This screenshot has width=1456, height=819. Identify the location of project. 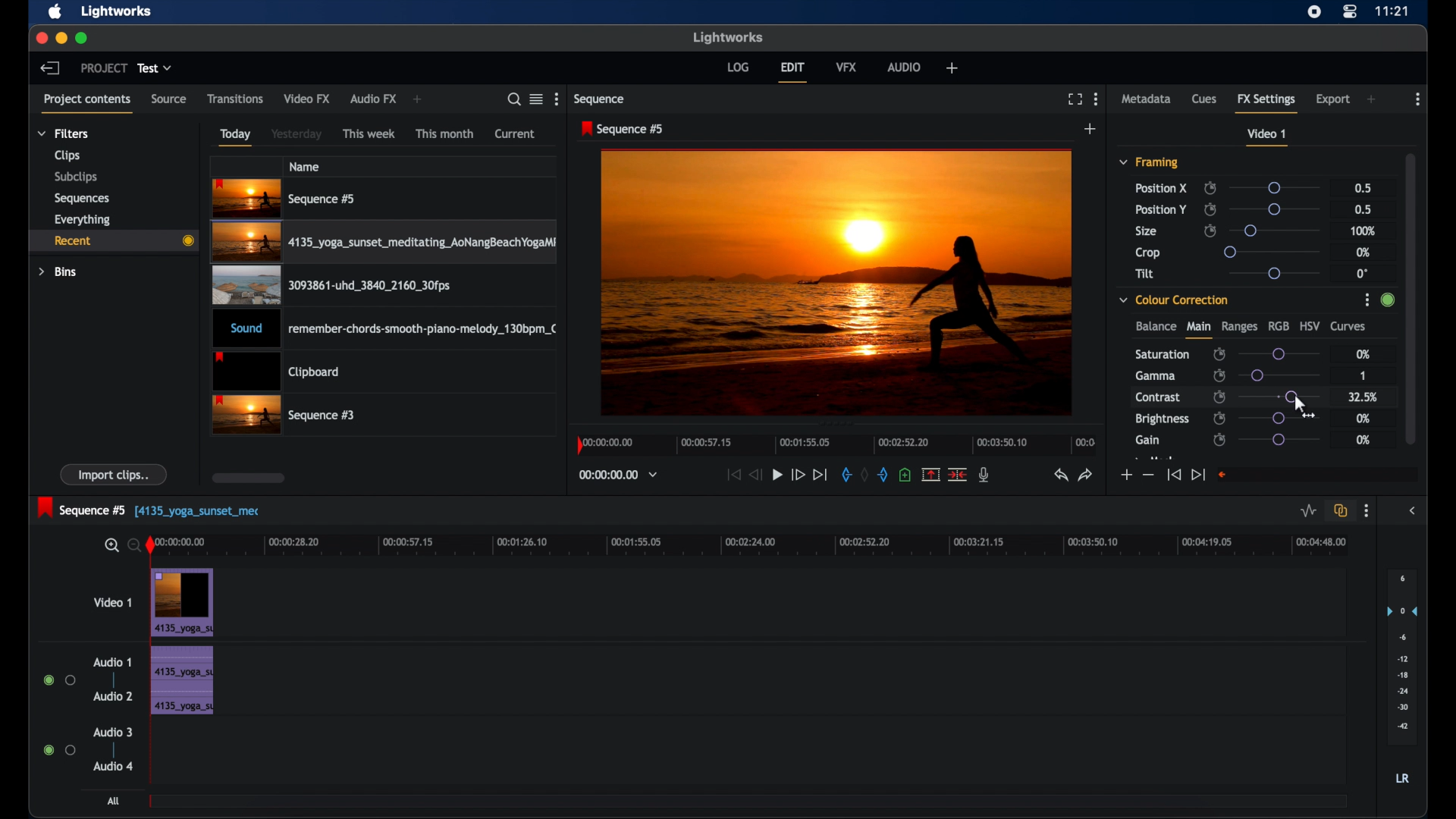
(104, 68).